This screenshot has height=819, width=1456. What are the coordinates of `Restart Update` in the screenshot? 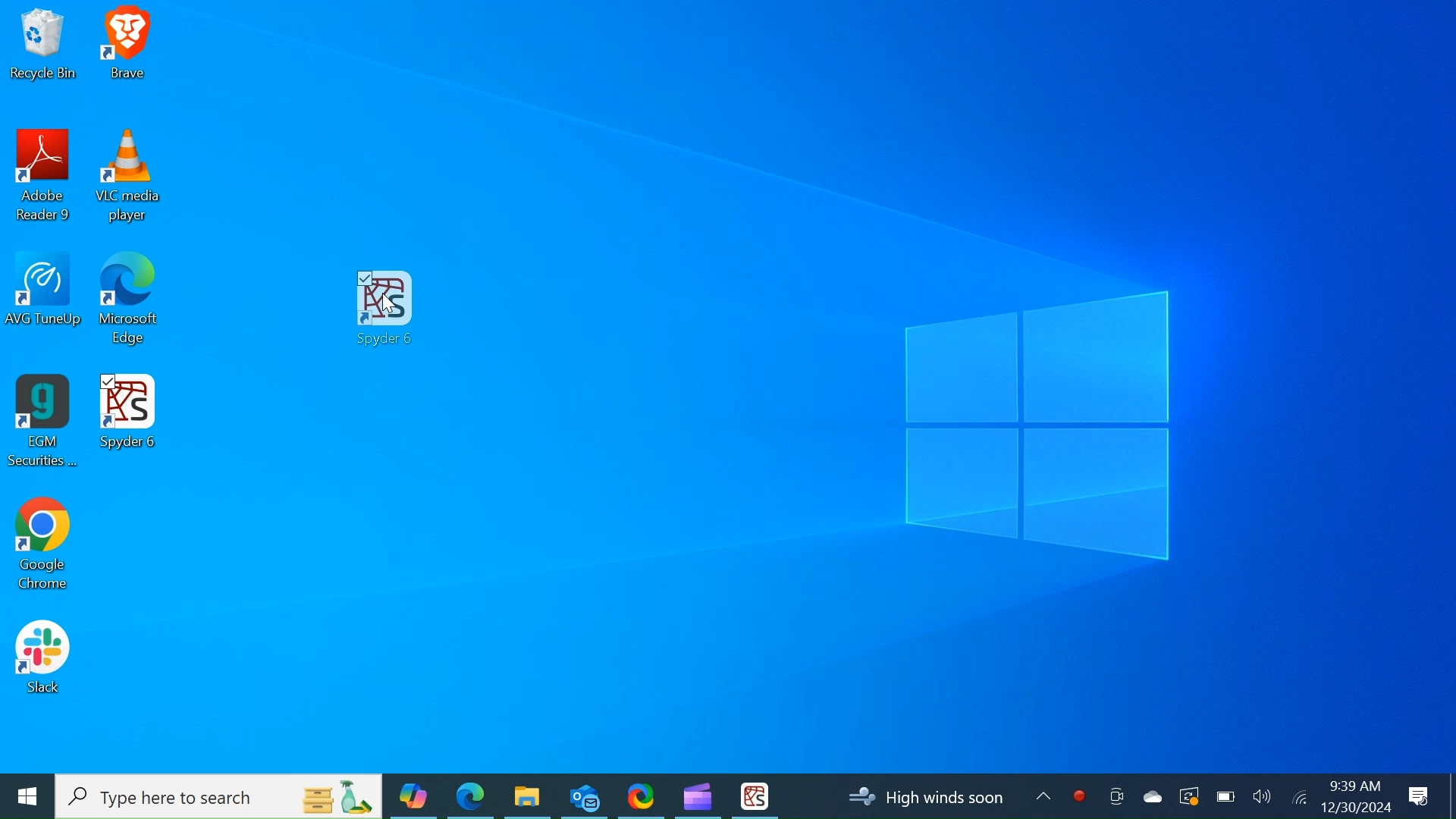 It's located at (1187, 795).